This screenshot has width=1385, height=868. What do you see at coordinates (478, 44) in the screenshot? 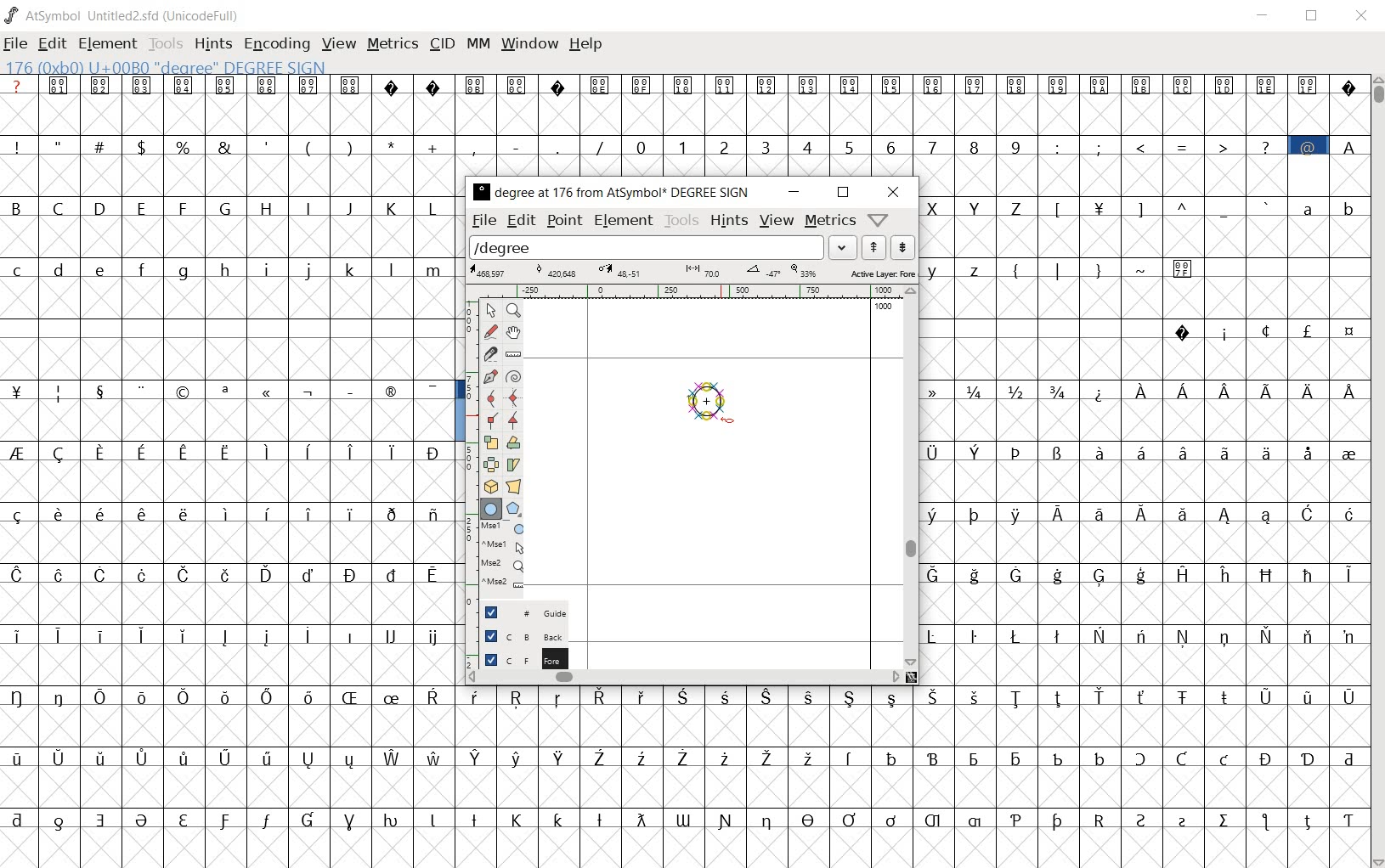
I see `mm` at bounding box center [478, 44].